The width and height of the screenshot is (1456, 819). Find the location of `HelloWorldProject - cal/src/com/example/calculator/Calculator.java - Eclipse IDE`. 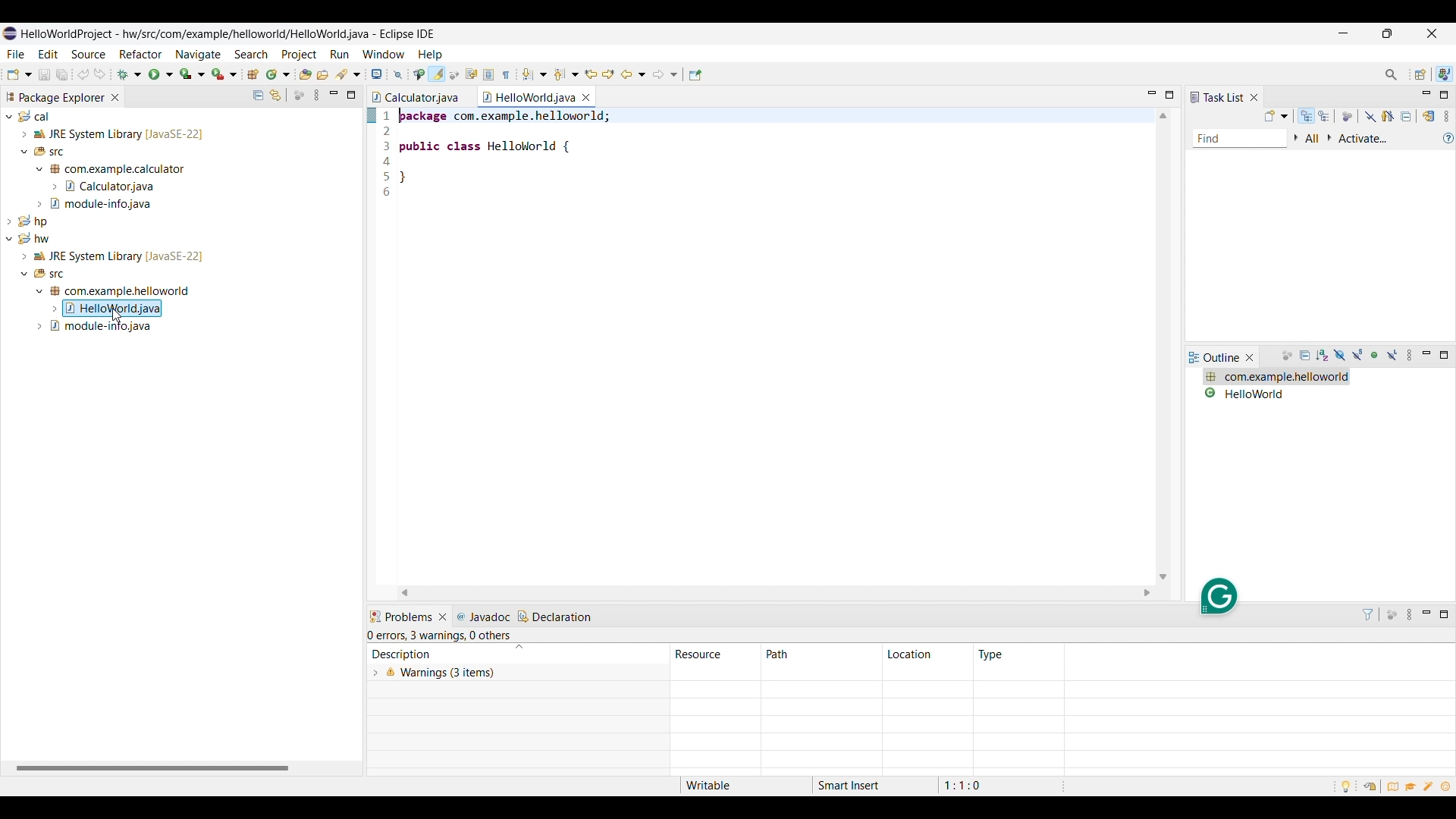

HelloWorldProject - cal/src/com/example/calculator/Calculator.java - Eclipse IDE is located at coordinates (222, 33).